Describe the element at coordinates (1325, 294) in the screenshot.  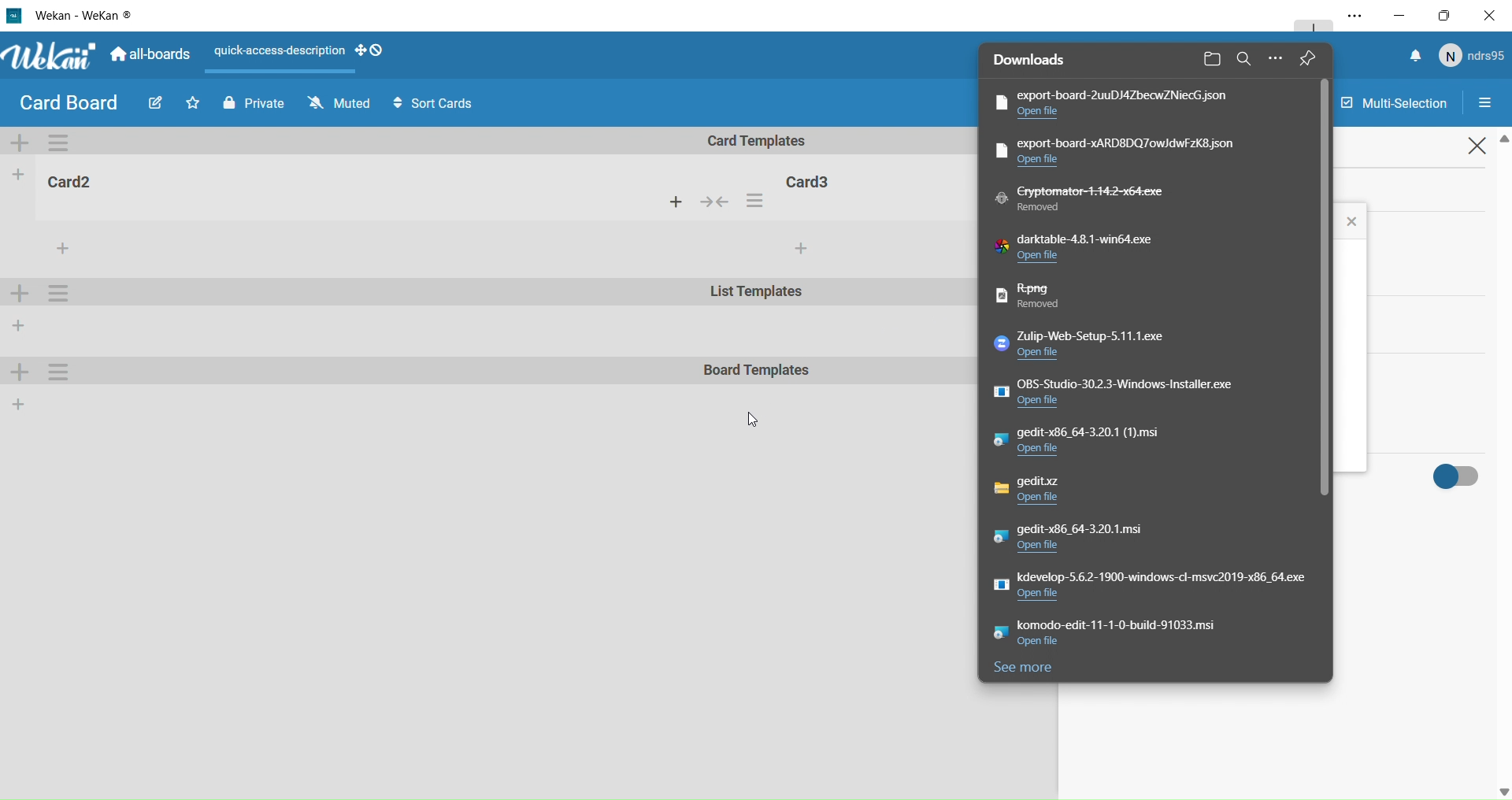
I see `vertical scroll bar` at that location.